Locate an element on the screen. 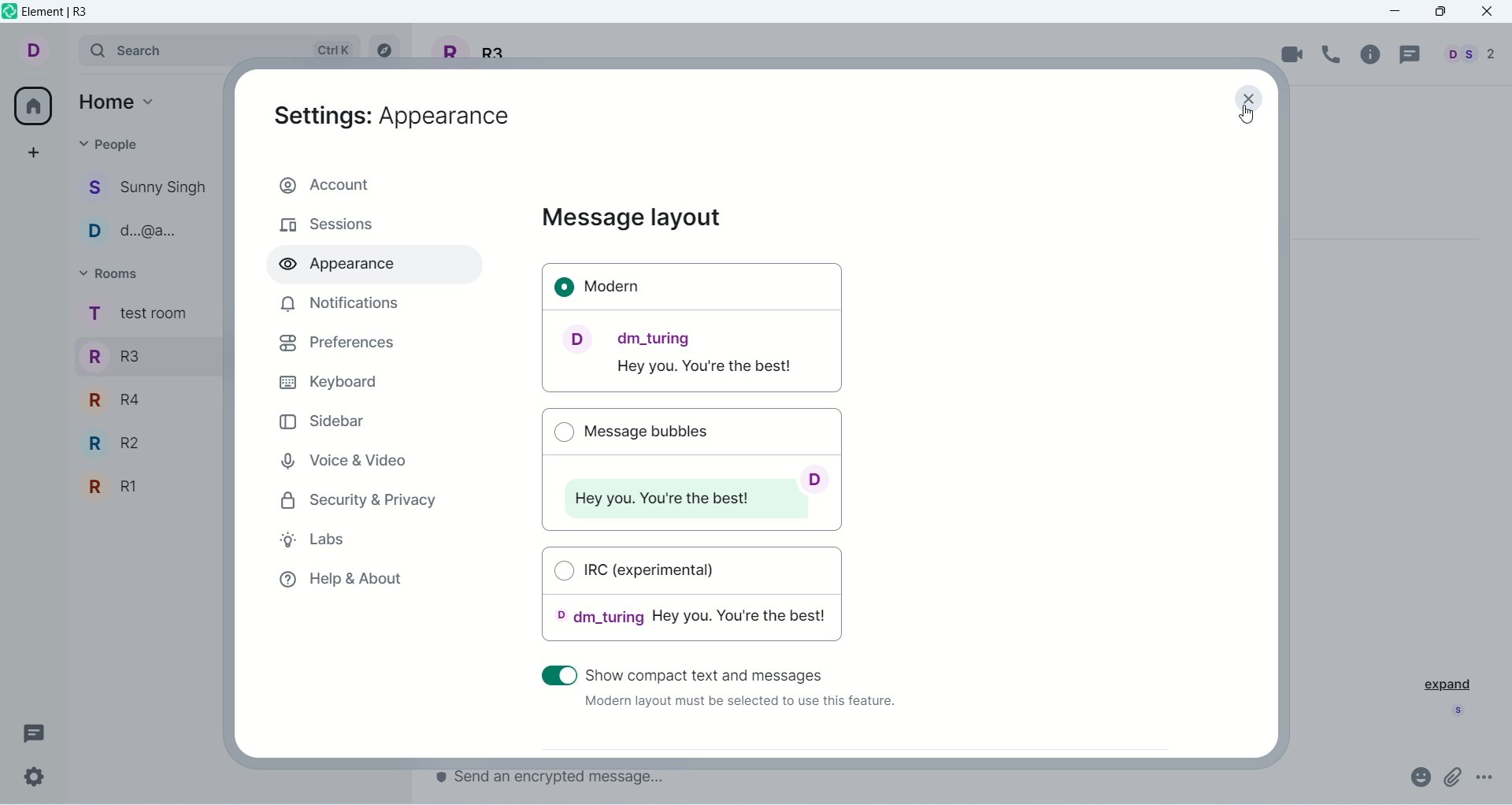  settings is located at coordinates (35, 777).